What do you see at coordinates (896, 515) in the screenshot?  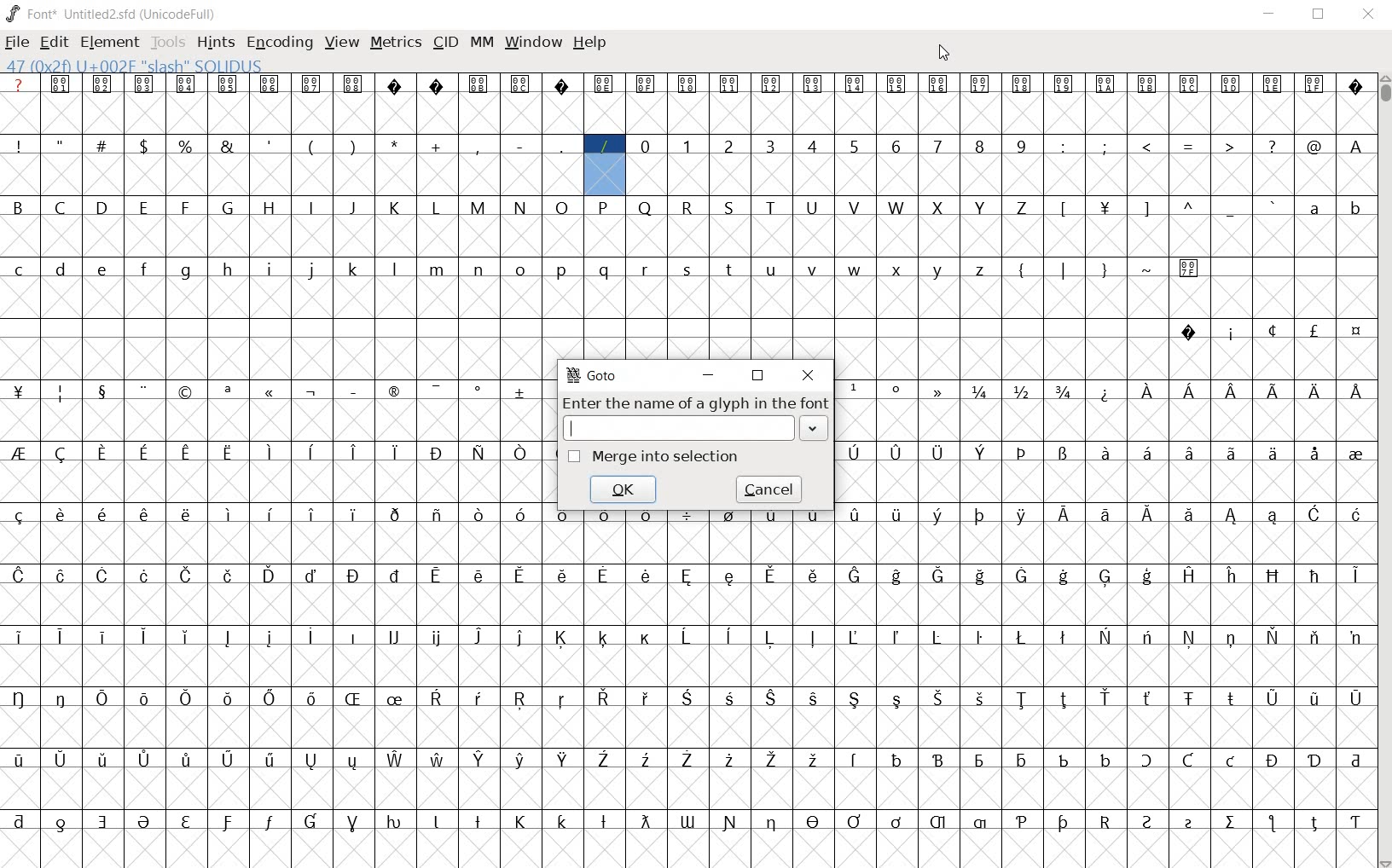 I see `glyph` at bounding box center [896, 515].